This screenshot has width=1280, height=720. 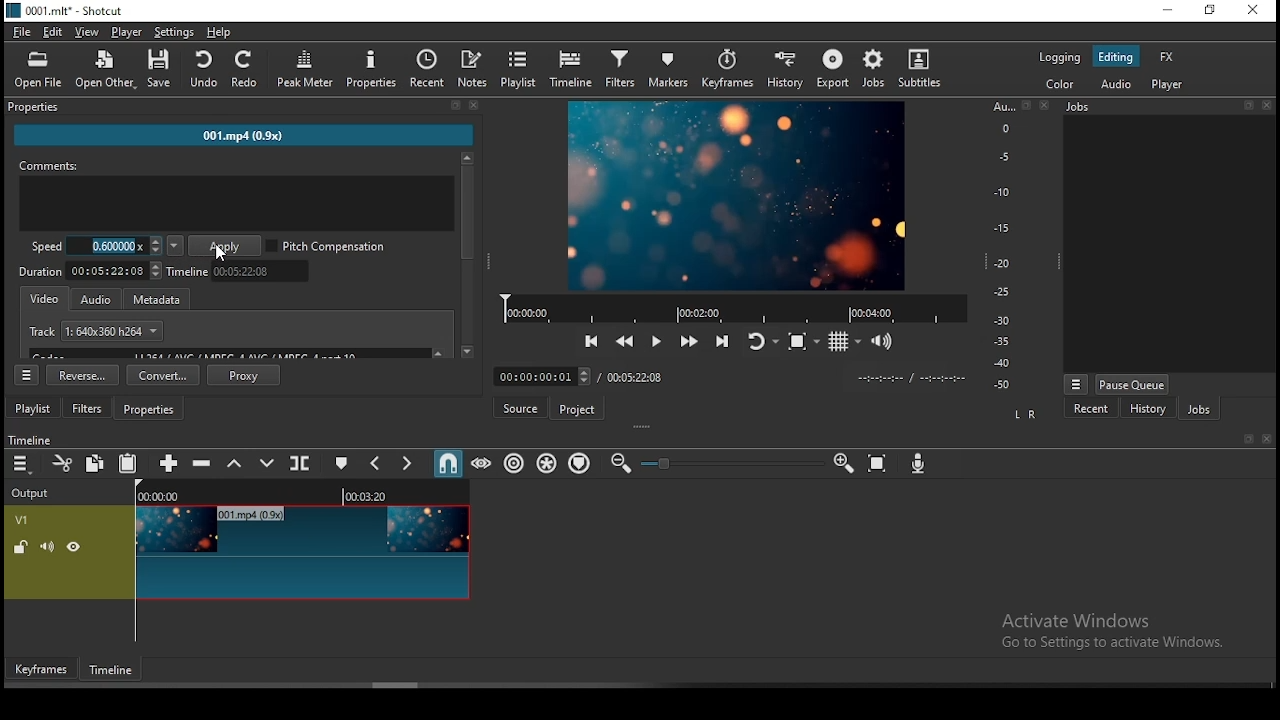 I want to click on convert, so click(x=164, y=374).